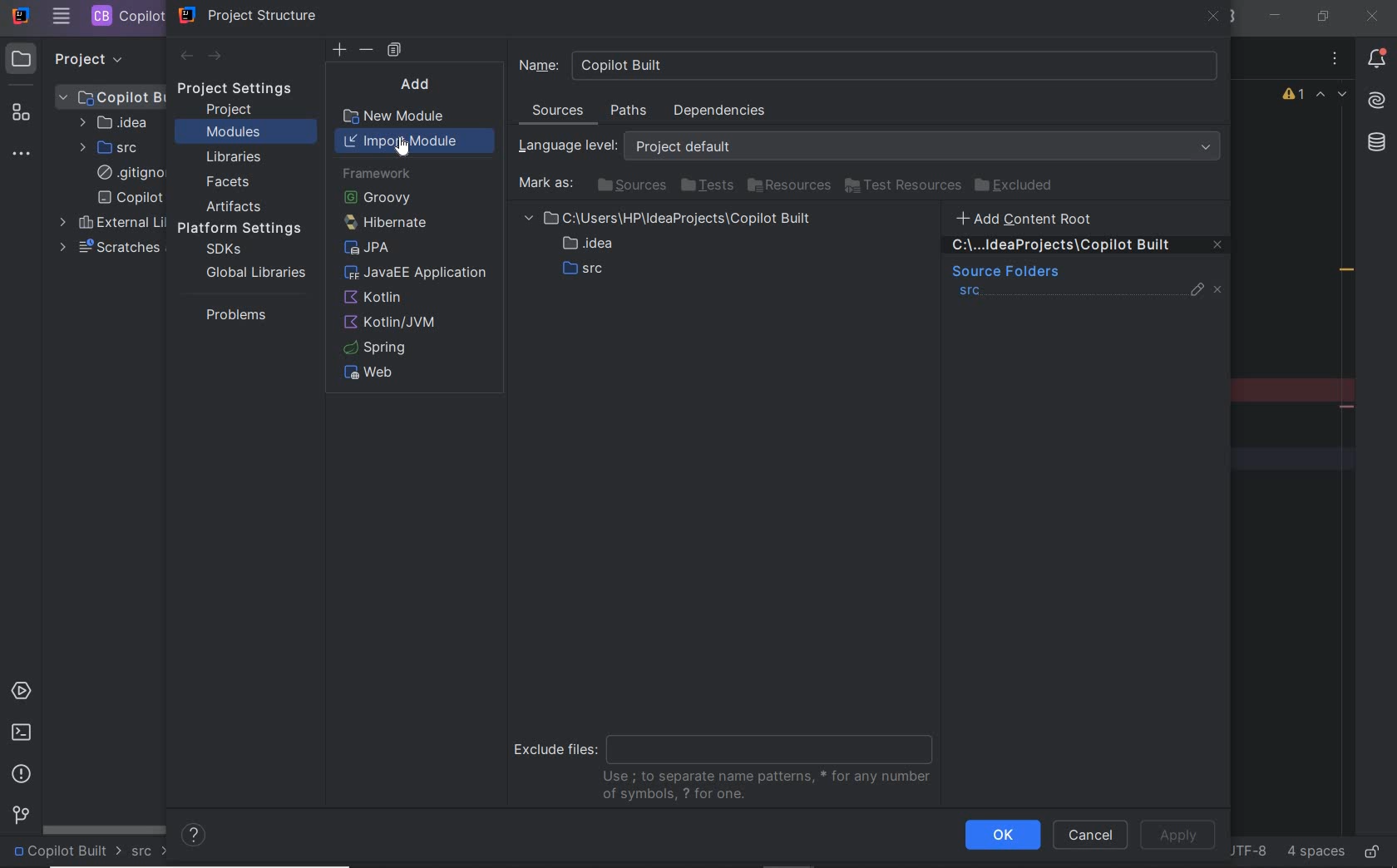 This screenshot has height=868, width=1397. I want to click on new module, so click(397, 118).